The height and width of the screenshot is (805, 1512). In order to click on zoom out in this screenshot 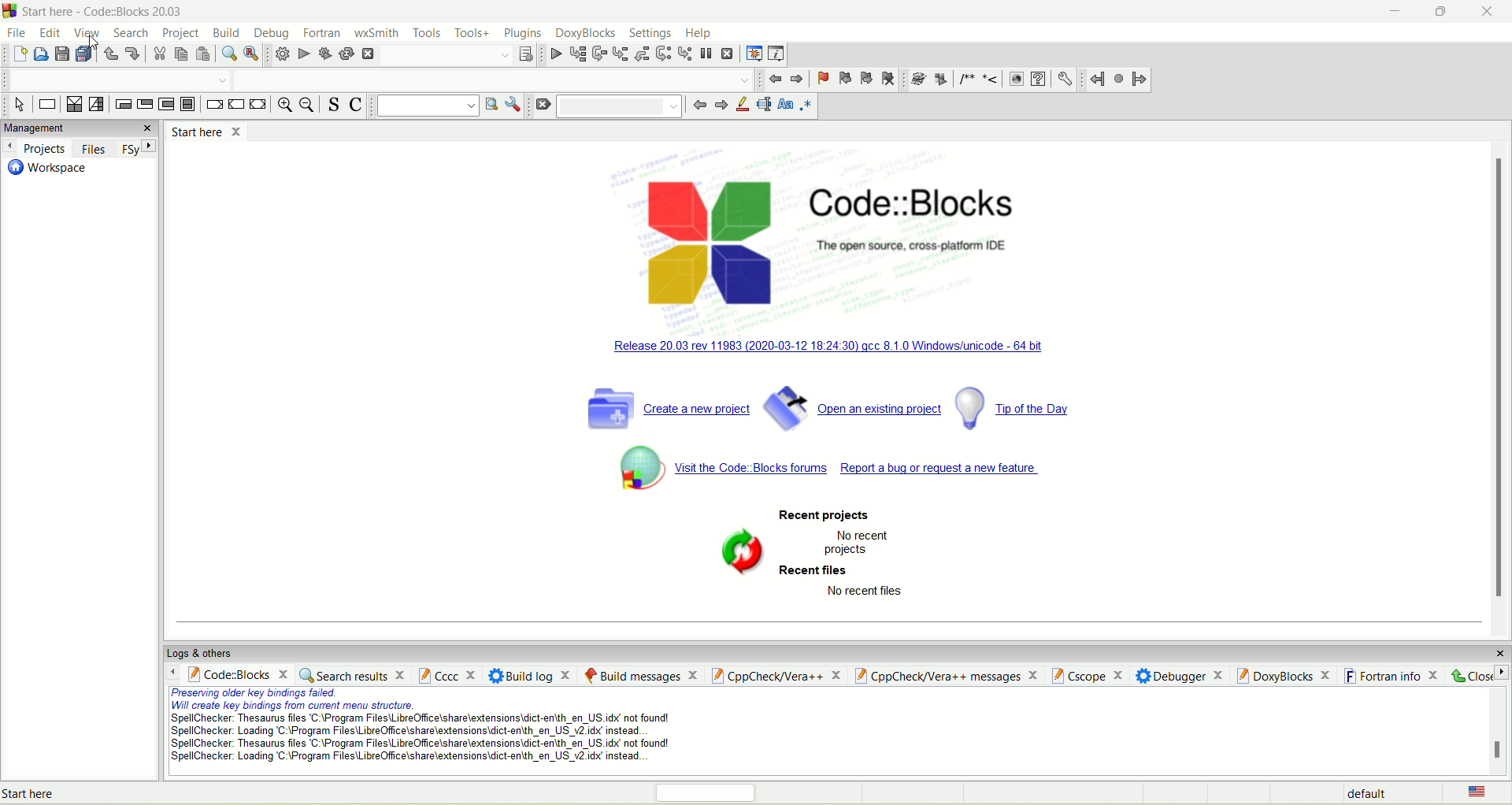, I will do `click(306, 108)`.